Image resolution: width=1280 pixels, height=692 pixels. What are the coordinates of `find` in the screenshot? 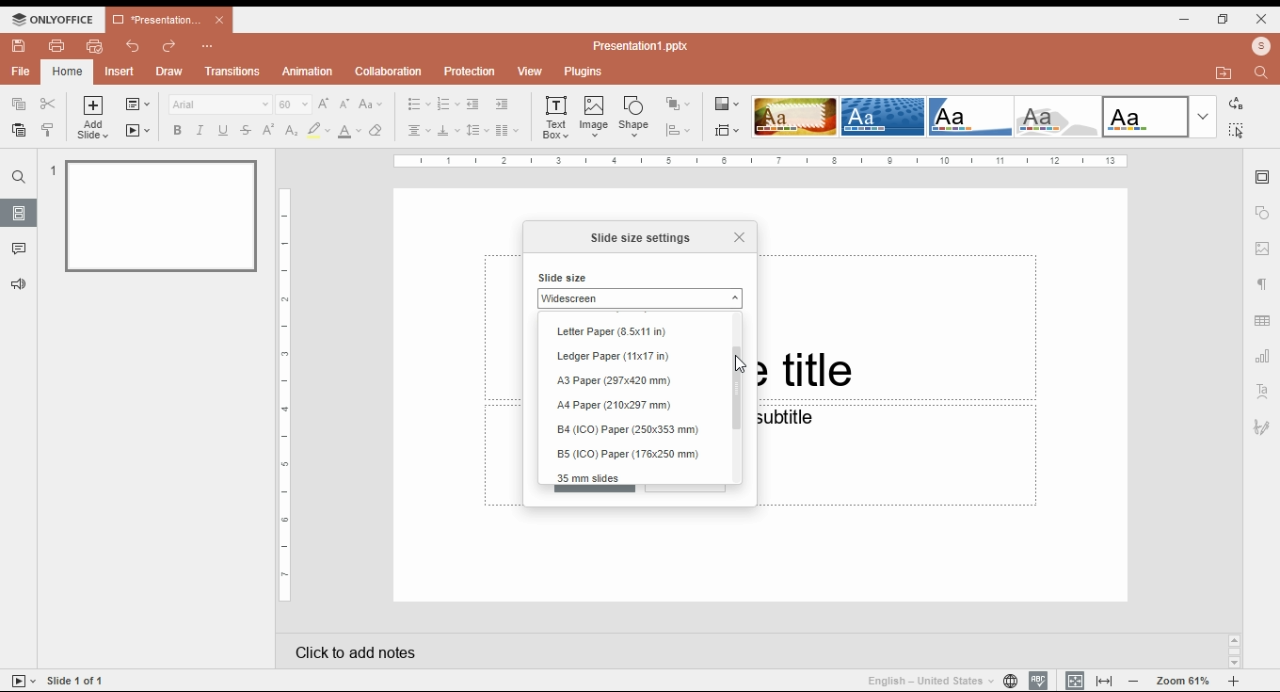 It's located at (1235, 130).